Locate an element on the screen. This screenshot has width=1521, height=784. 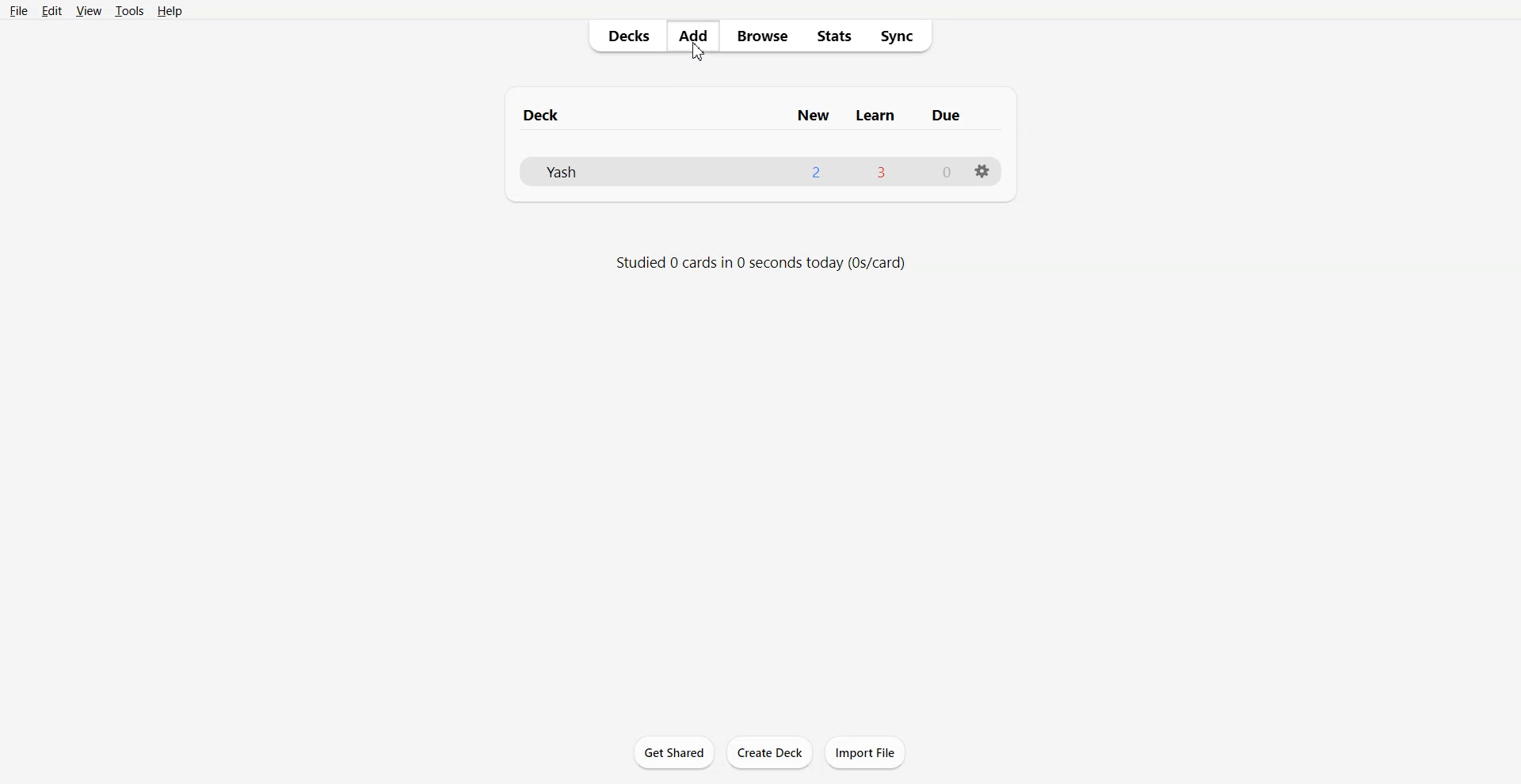
Stats is located at coordinates (833, 36).